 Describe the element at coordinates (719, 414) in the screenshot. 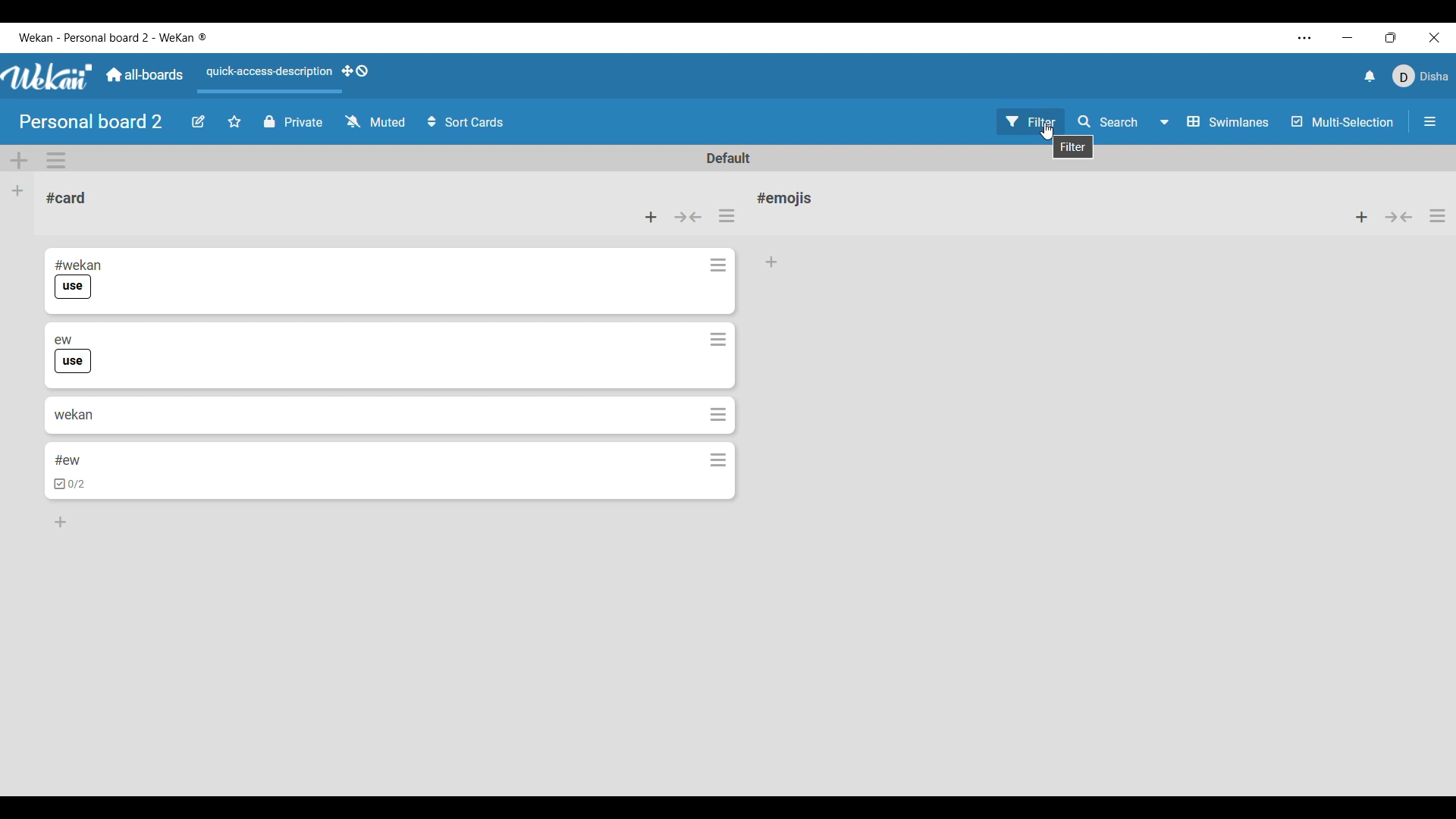

I see `Card actions for respective card` at that location.